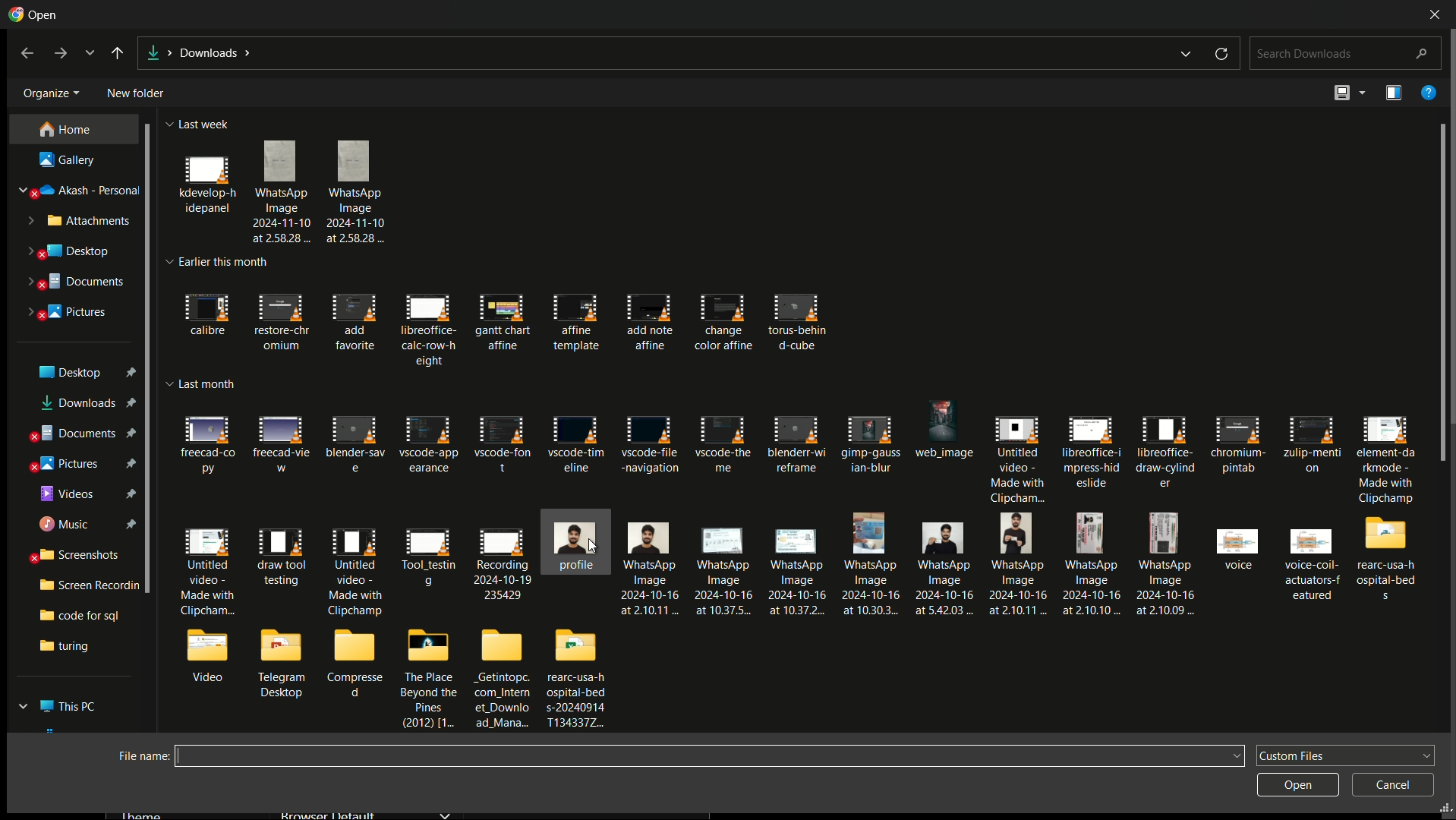  Describe the element at coordinates (85, 494) in the screenshot. I see `videos` at that location.